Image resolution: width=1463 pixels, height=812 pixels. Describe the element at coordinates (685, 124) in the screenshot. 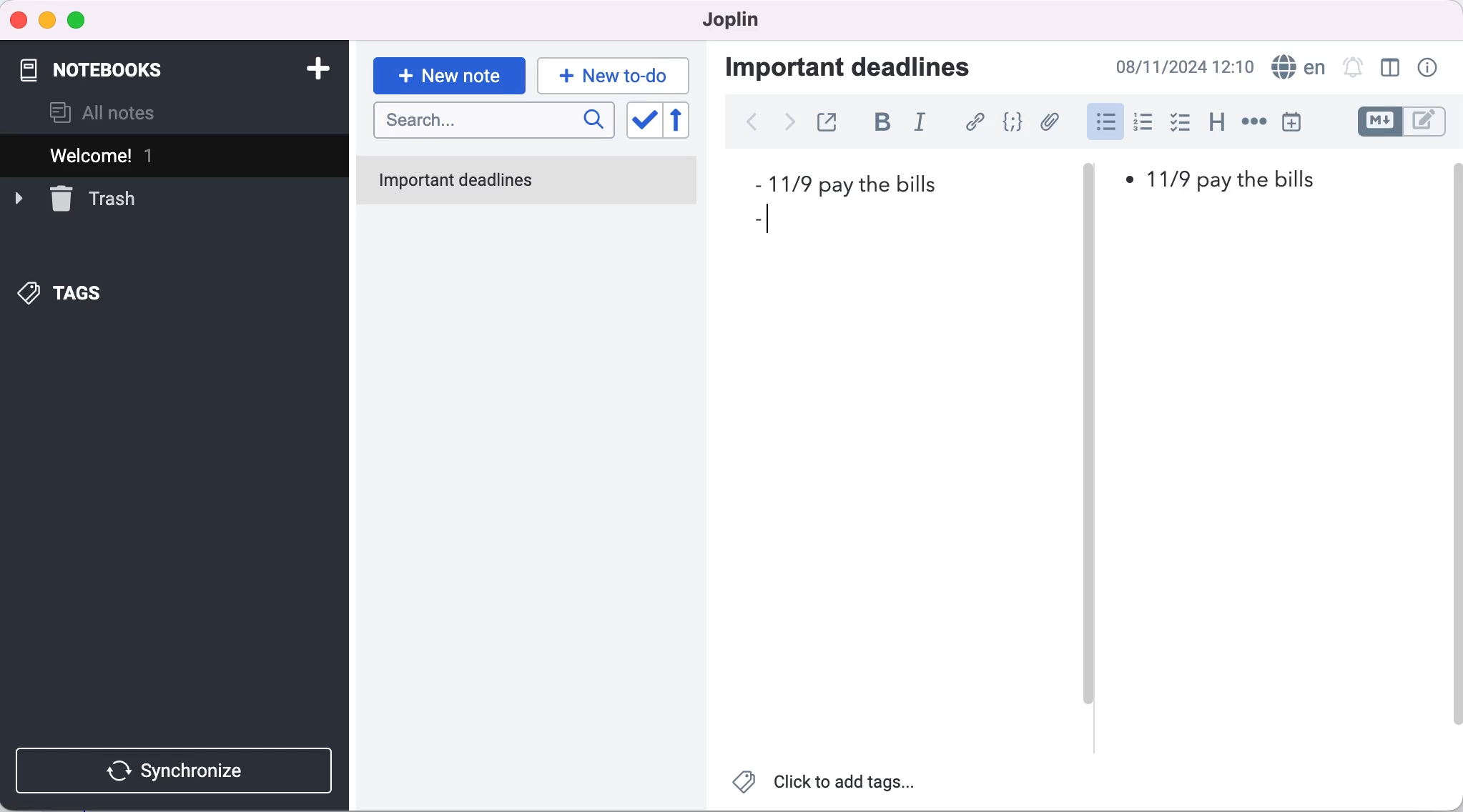

I see `reverse sort order` at that location.